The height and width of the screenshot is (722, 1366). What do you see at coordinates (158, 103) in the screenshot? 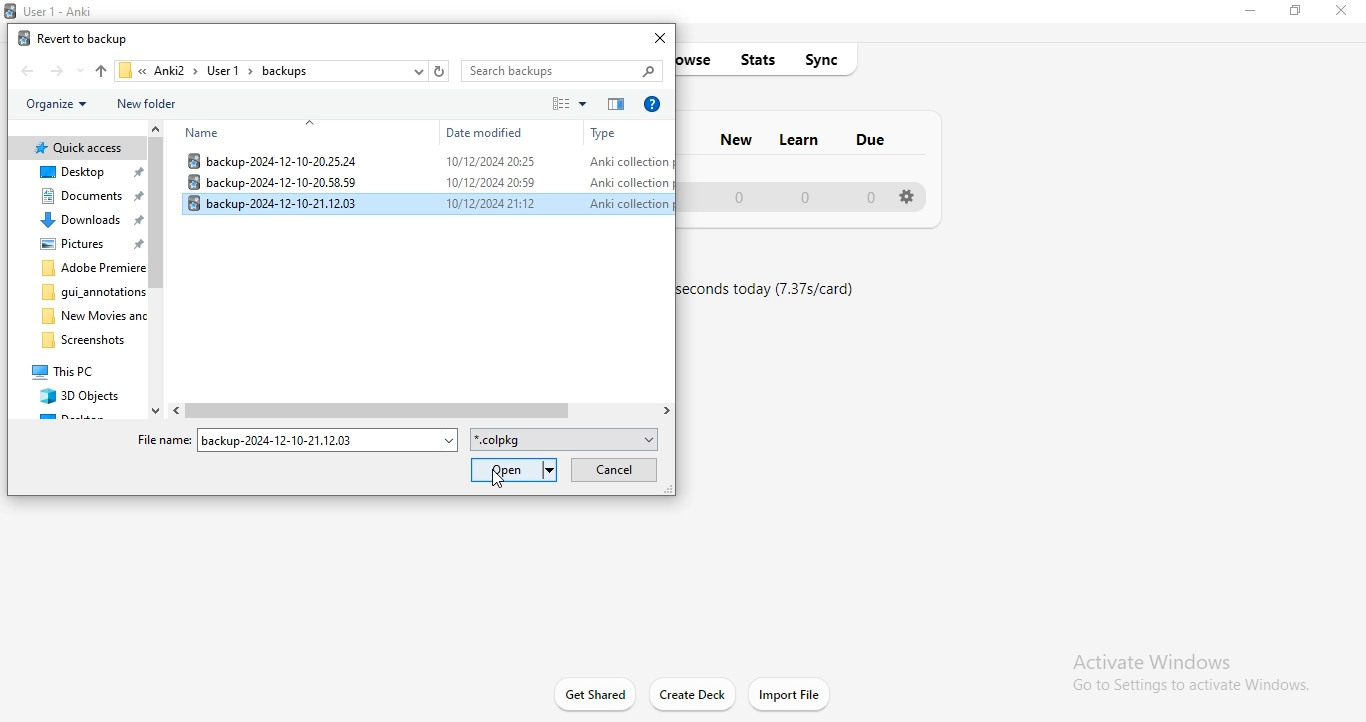
I see `new folder` at bounding box center [158, 103].